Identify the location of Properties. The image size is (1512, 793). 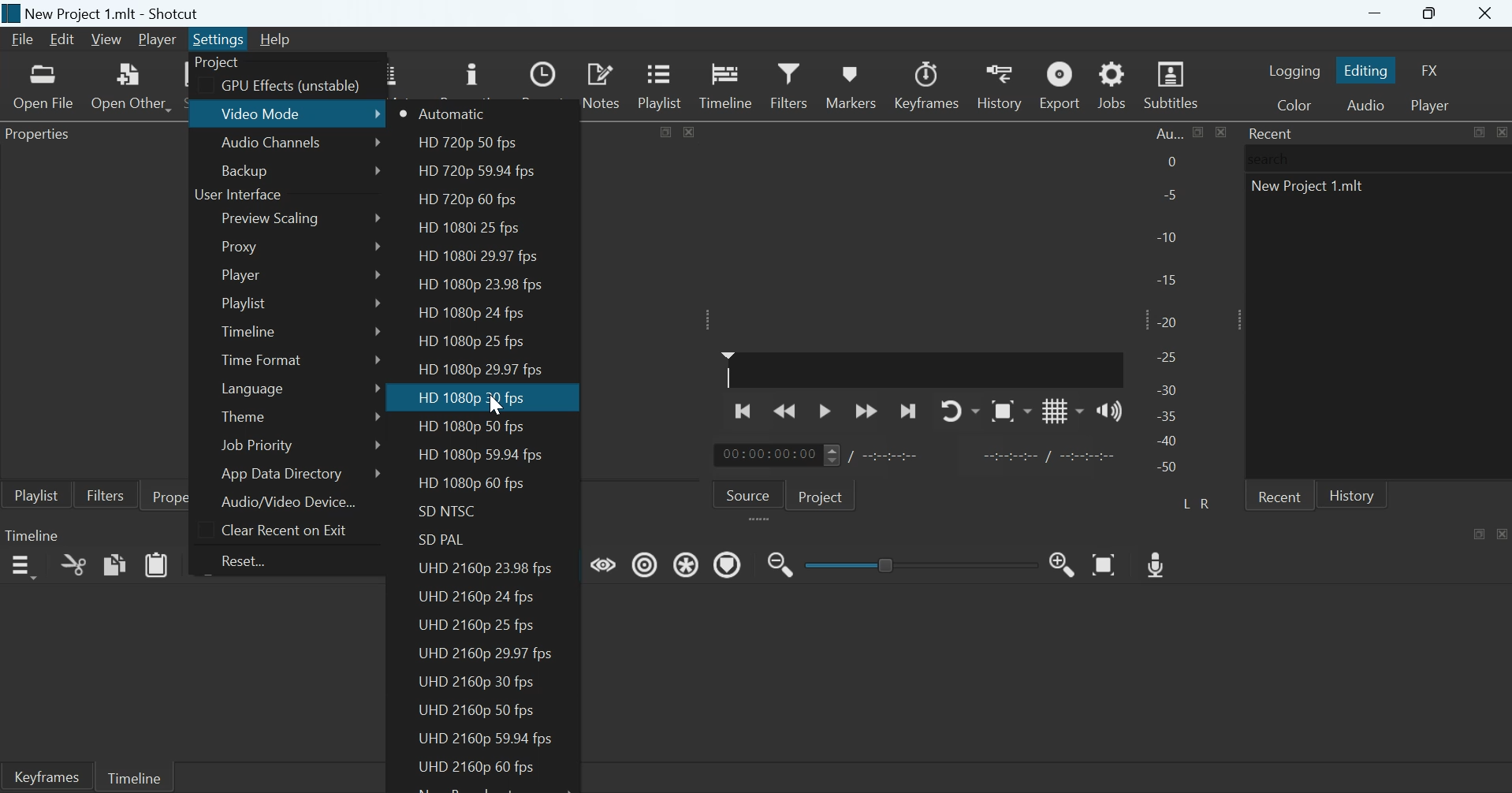
(185, 495).